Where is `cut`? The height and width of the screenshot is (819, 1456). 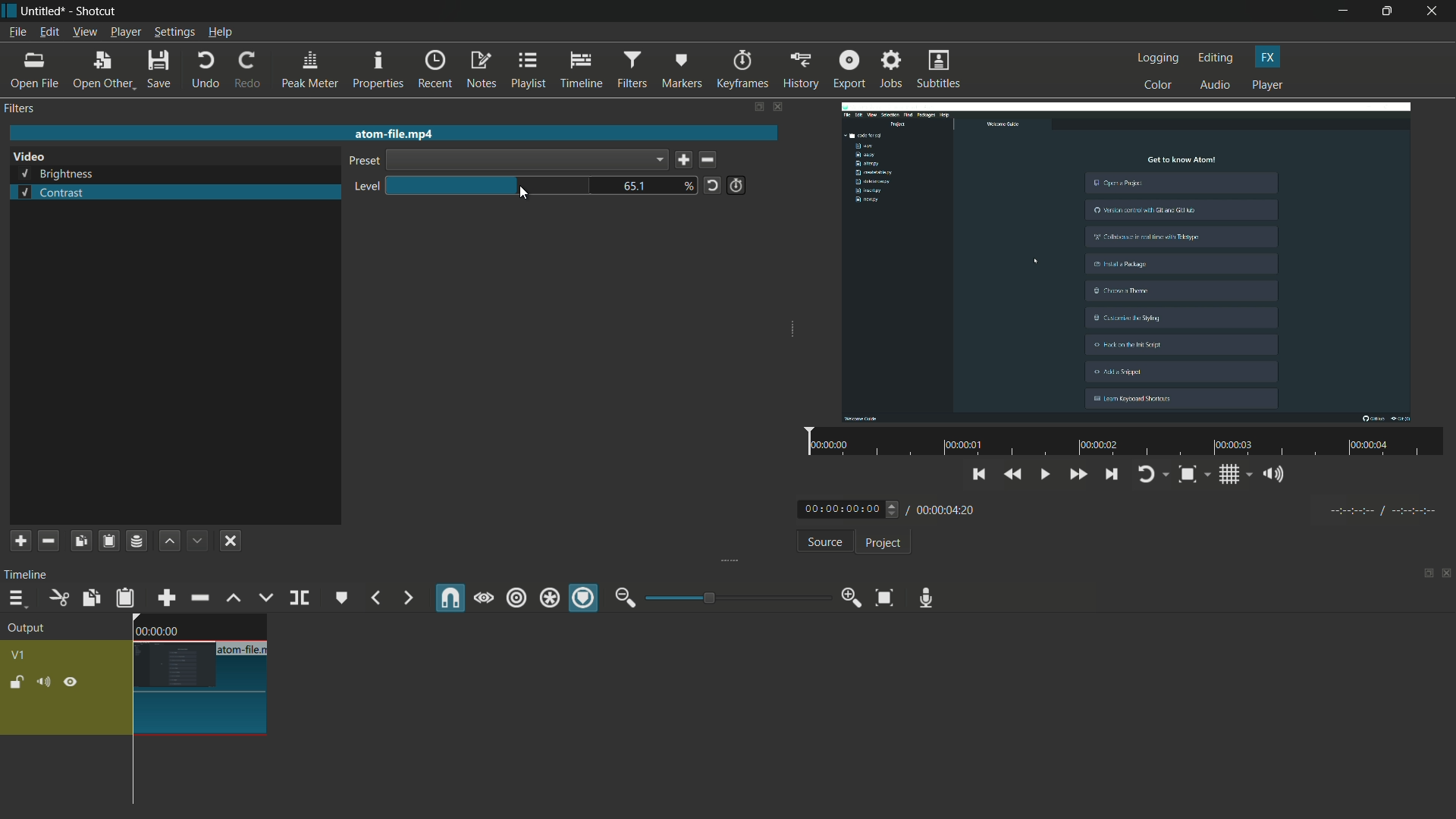 cut is located at coordinates (58, 598).